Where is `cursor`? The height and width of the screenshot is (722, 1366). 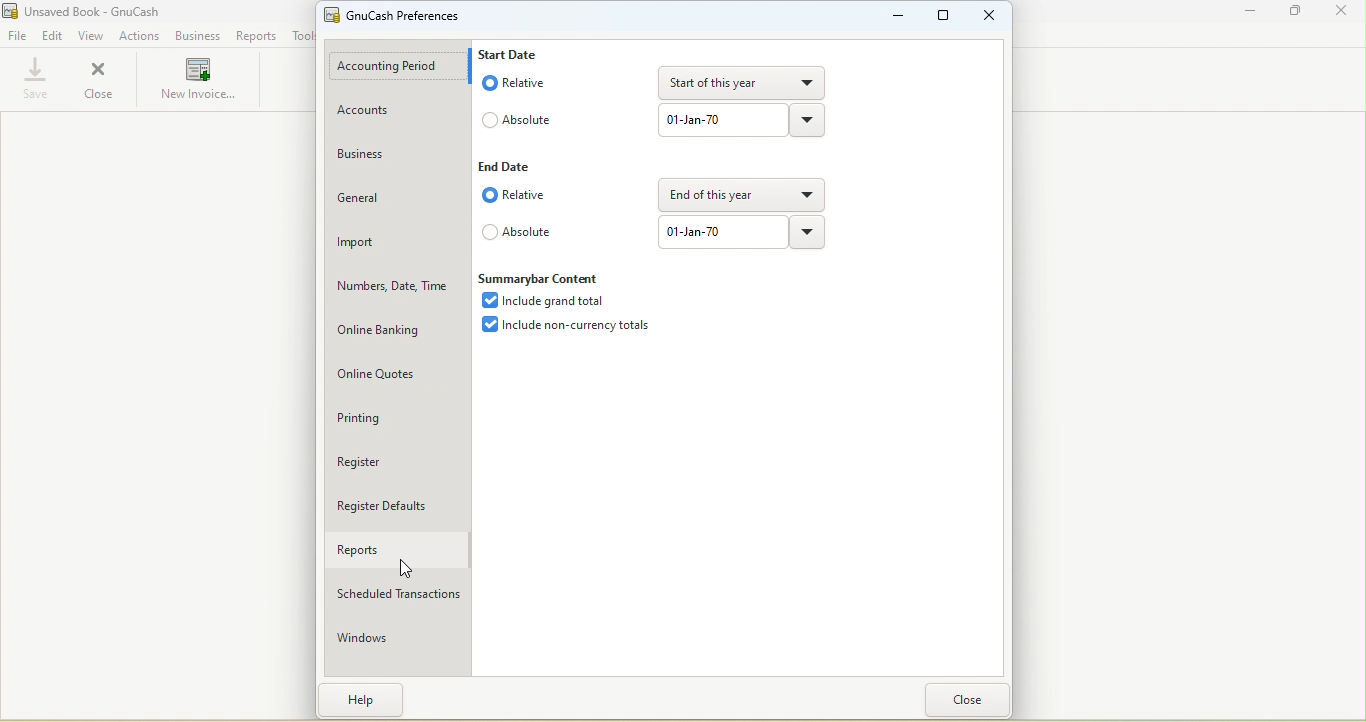
cursor is located at coordinates (405, 568).